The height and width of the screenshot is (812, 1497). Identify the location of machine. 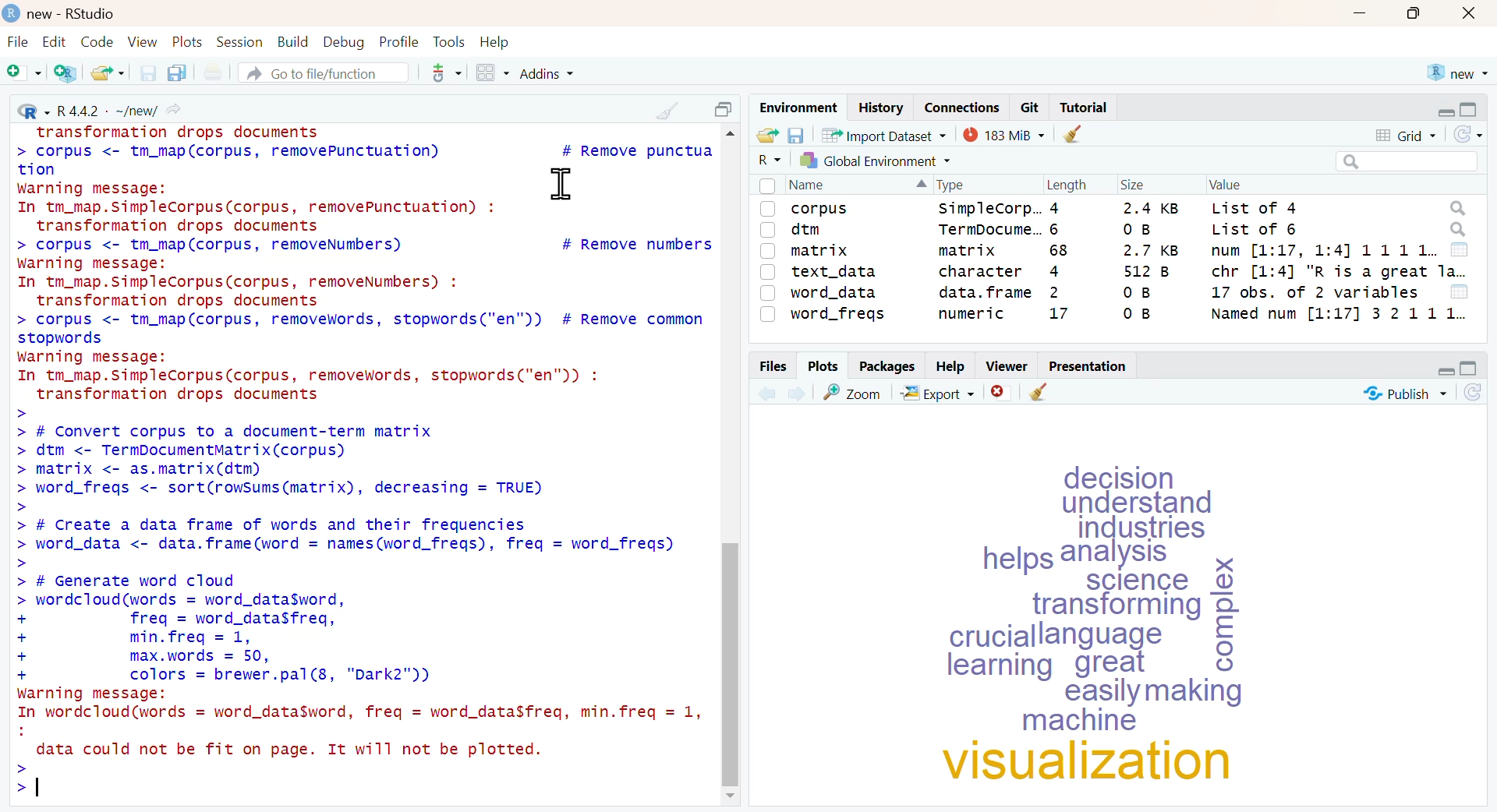
(1082, 722).